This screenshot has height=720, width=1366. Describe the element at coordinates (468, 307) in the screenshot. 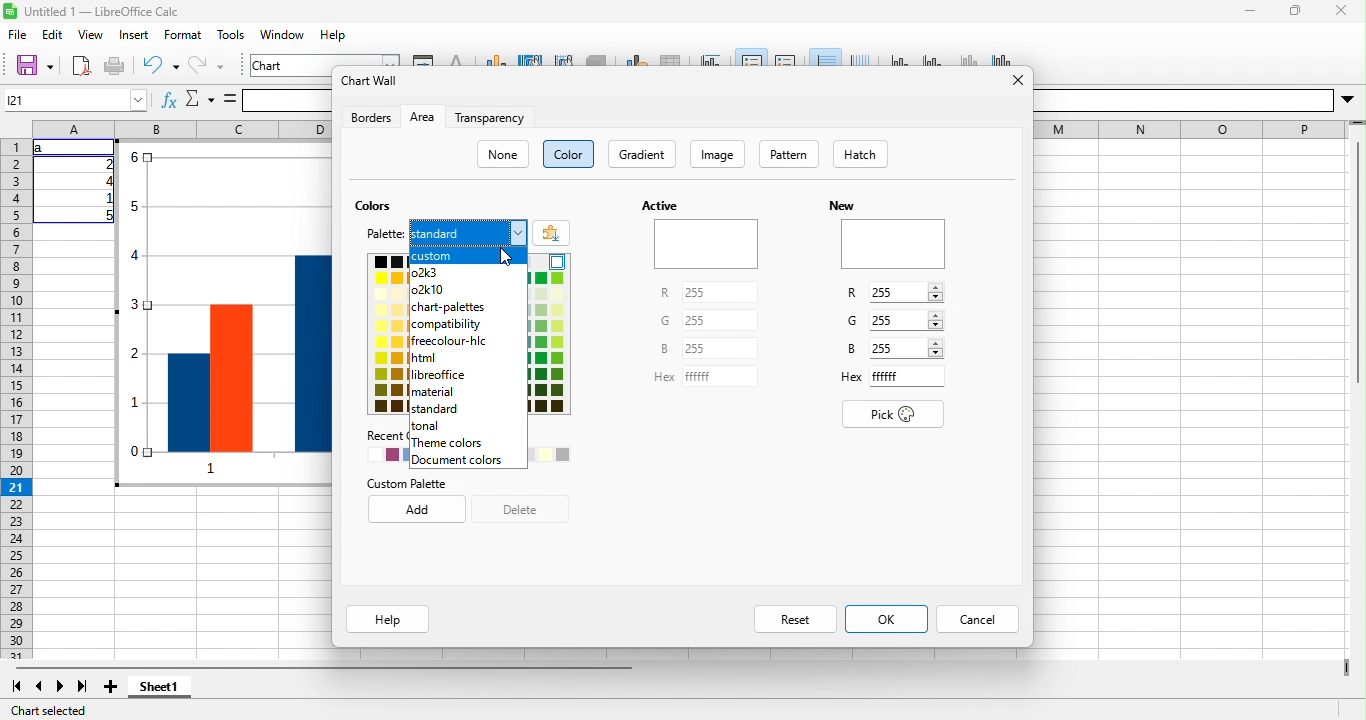

I see `chart palettes` at that location.